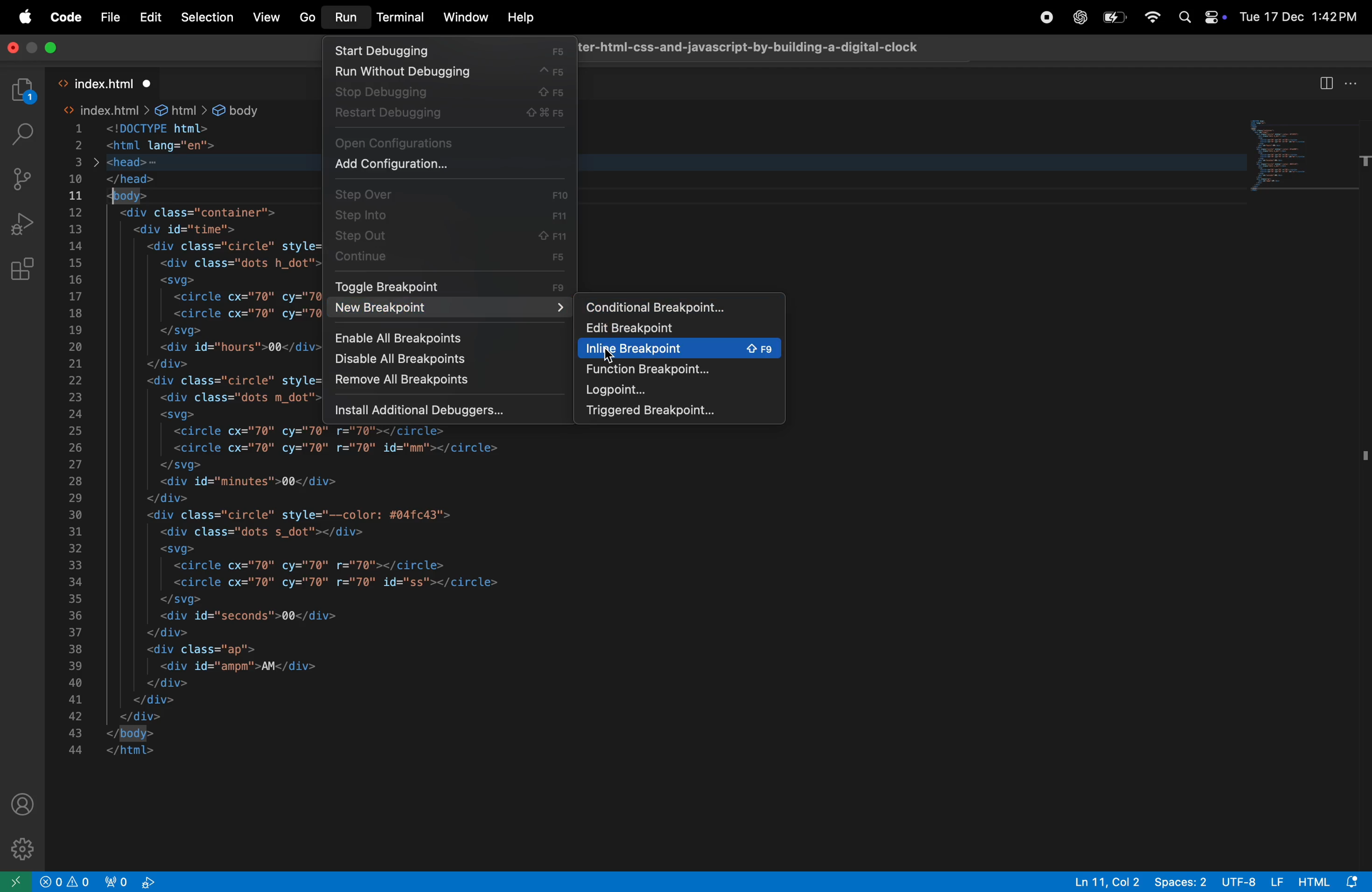 The image size is (1372, 892). I want to click on open remote, so click(16, 880).